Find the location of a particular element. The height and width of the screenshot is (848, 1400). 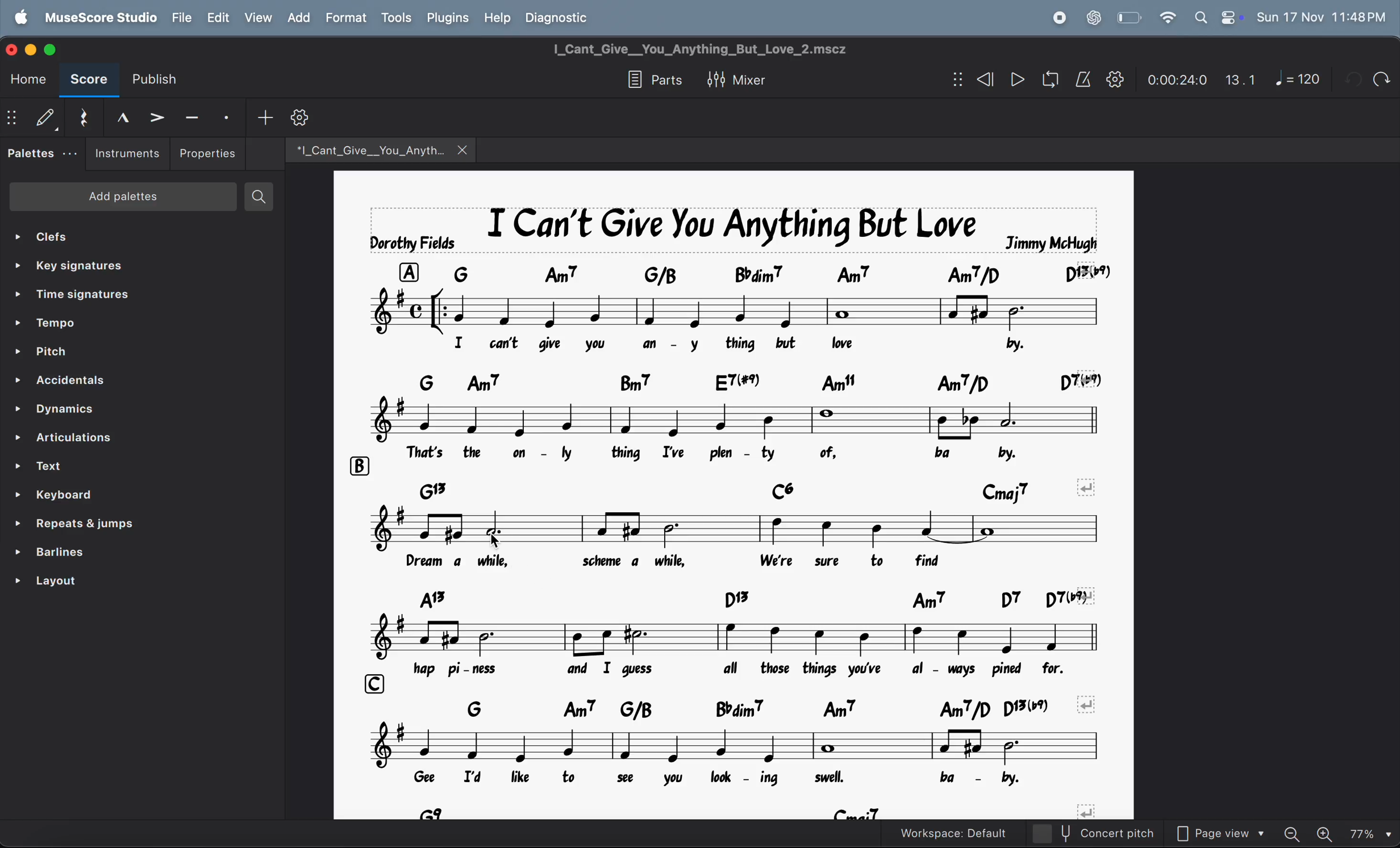

articulations is located at coordinates (124, 440).